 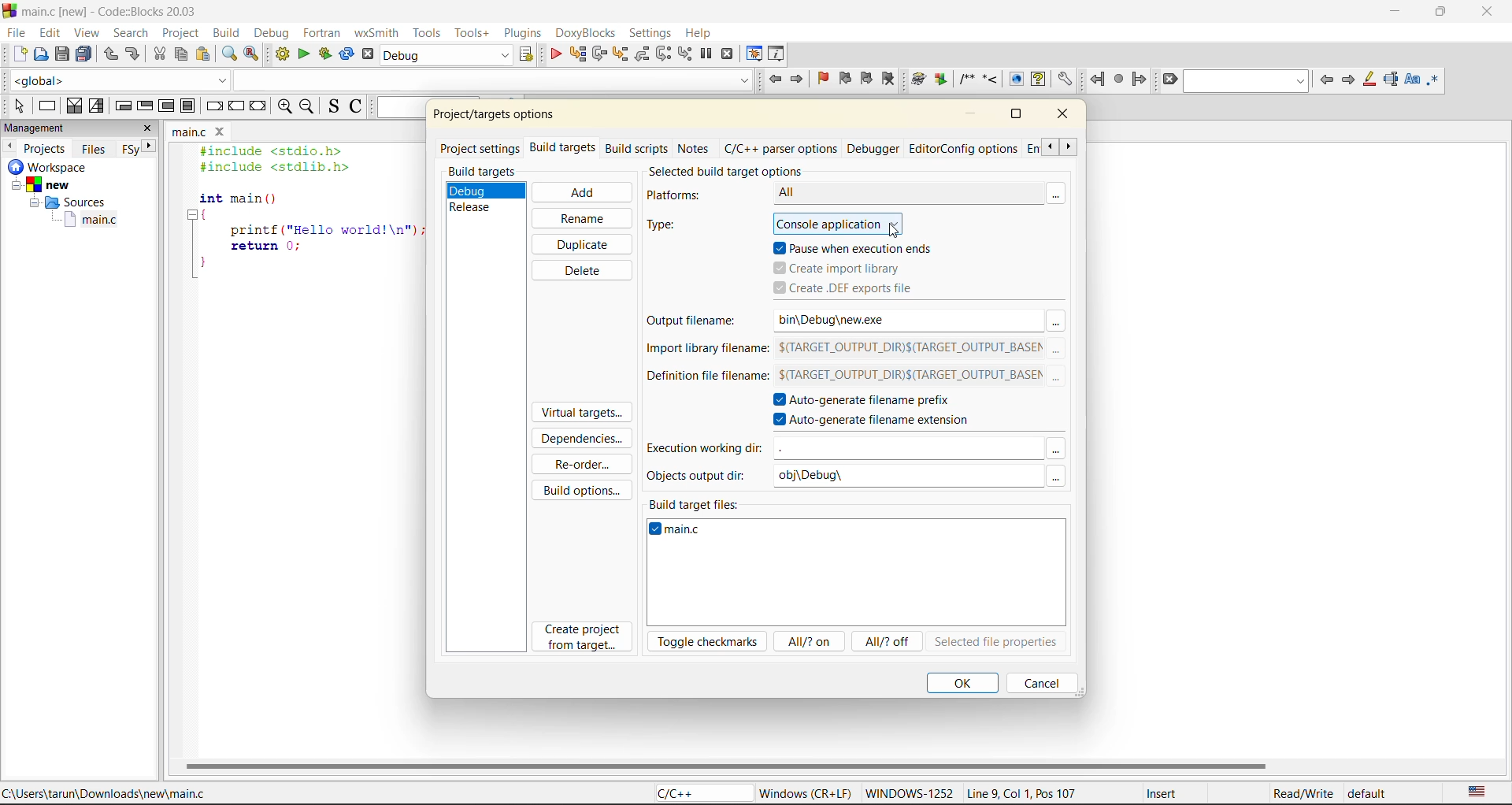 What do you see at coordinates (213, 107) in the screenshot?
I see `break instruction` at bounding box center [213, 107].